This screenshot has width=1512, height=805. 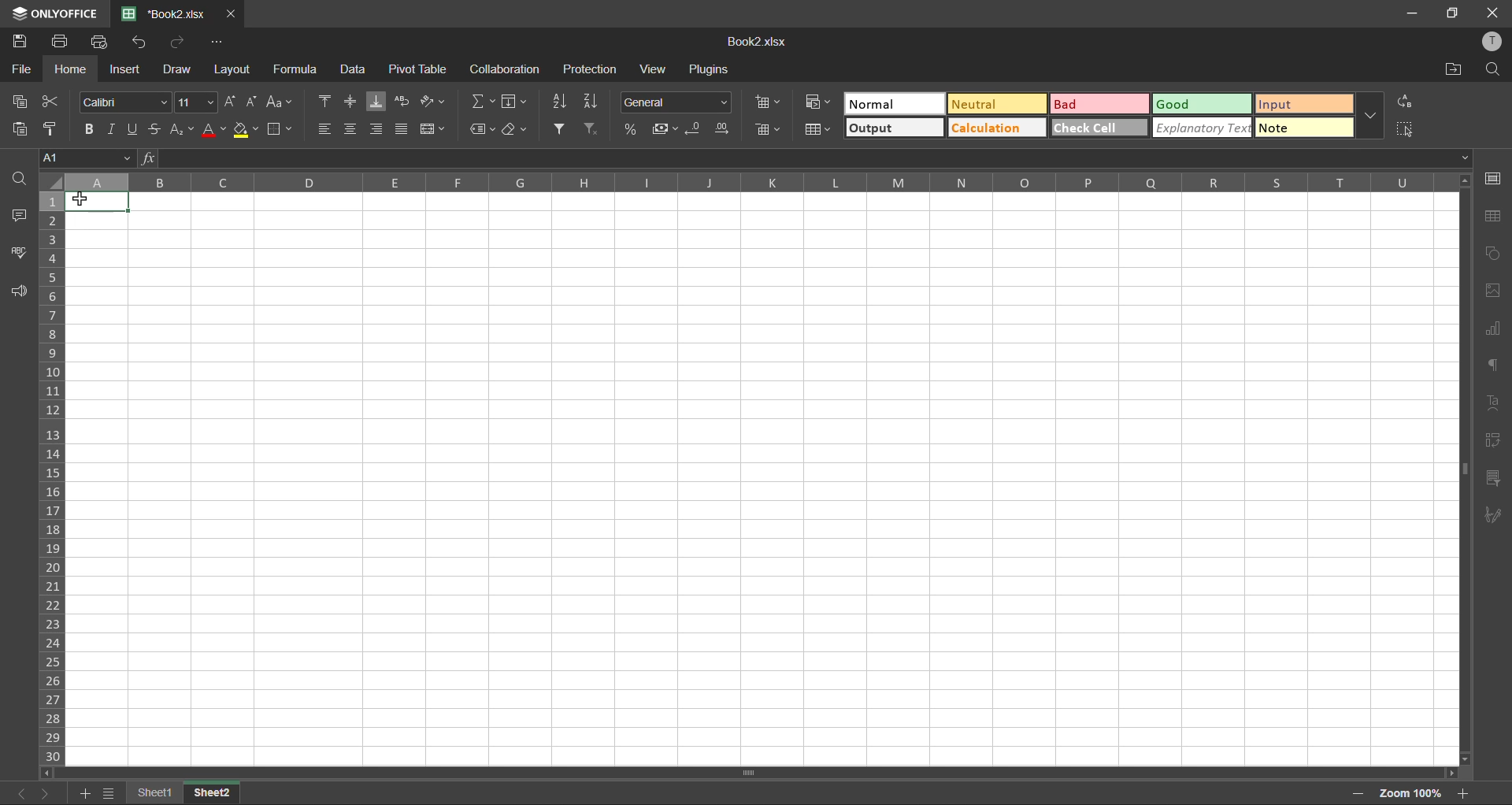 What do you see at coordinates (1495, 178) in the screenshot?
I see `cell settings` at bounding box center [1495, 178].